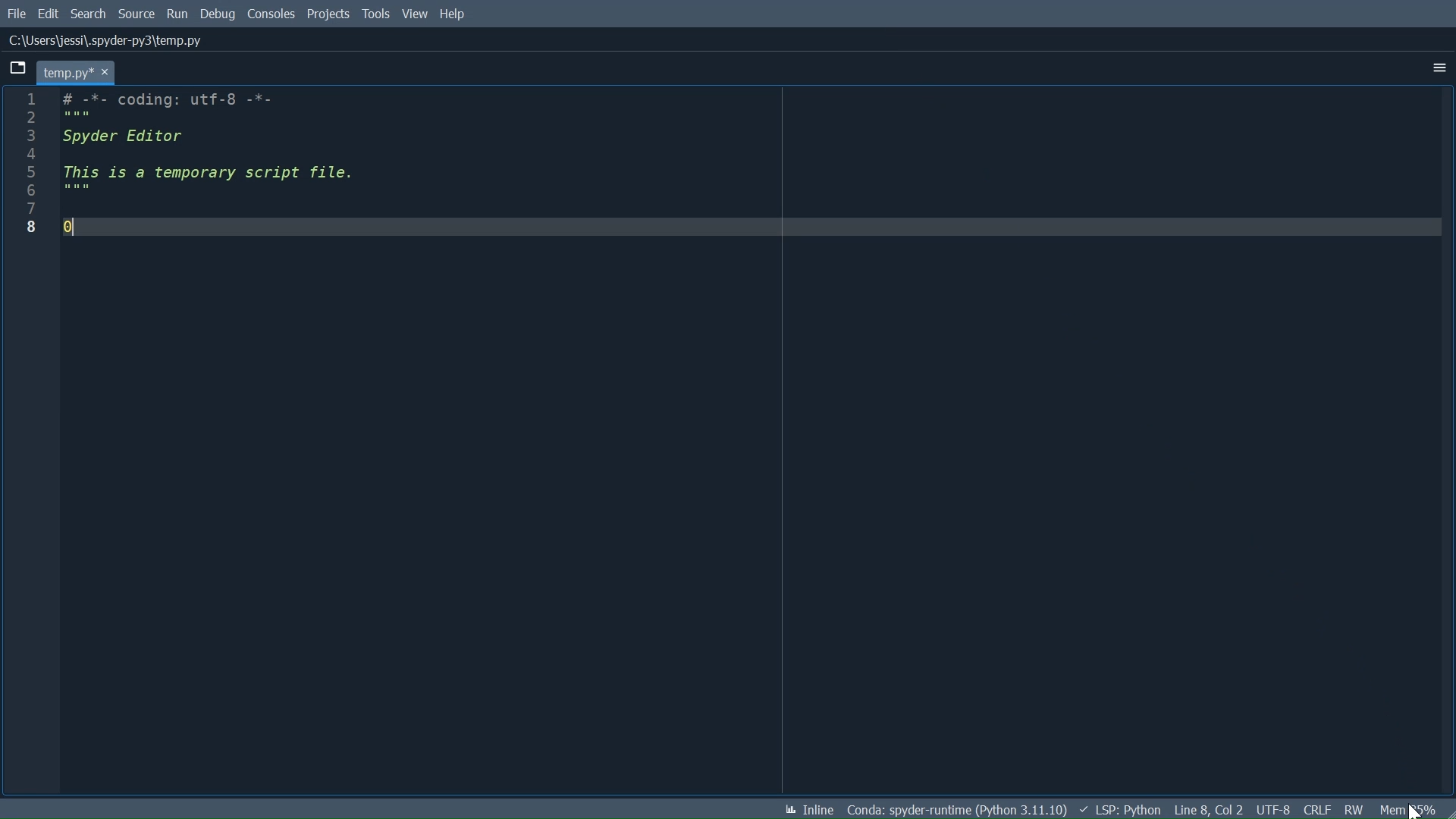  I want to click on temp.py, so click(77, 73).